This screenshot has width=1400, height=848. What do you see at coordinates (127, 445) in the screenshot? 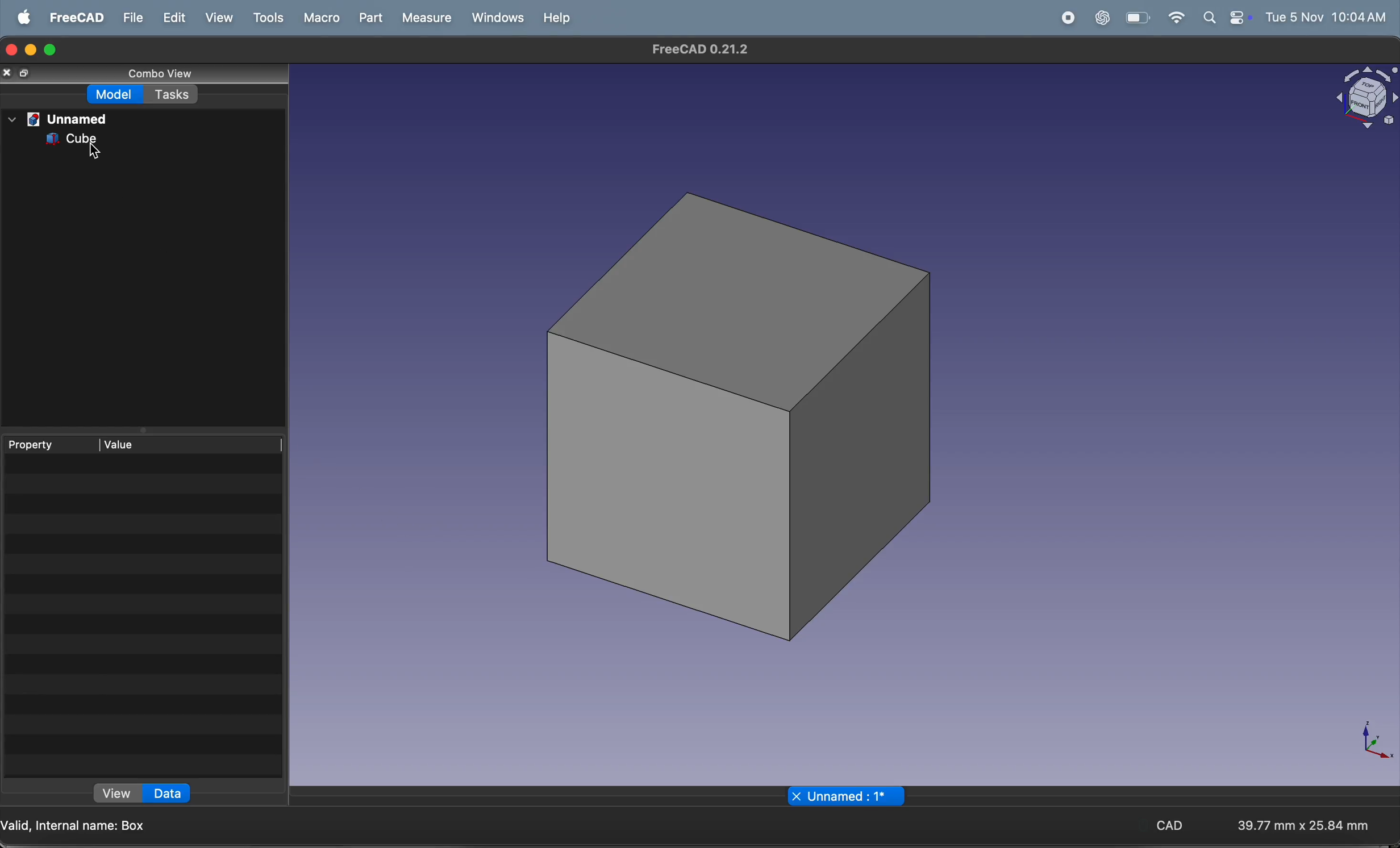
I see `value` at bounding box center [127, 445].